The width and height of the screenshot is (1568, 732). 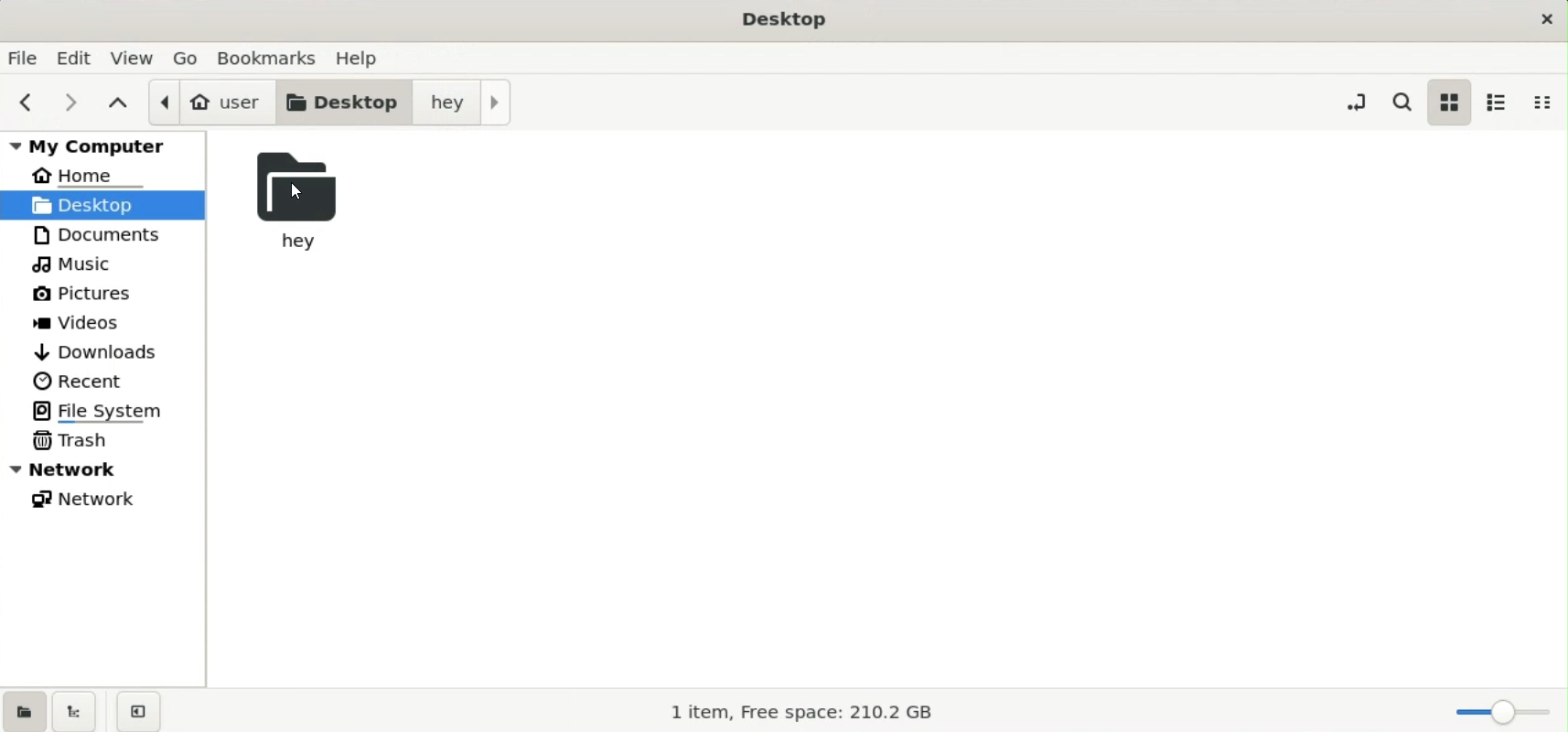 What do you see at coordinates (270, 56) in the screenshot?
I see `bookmarks` at bounding box center [270, 56].